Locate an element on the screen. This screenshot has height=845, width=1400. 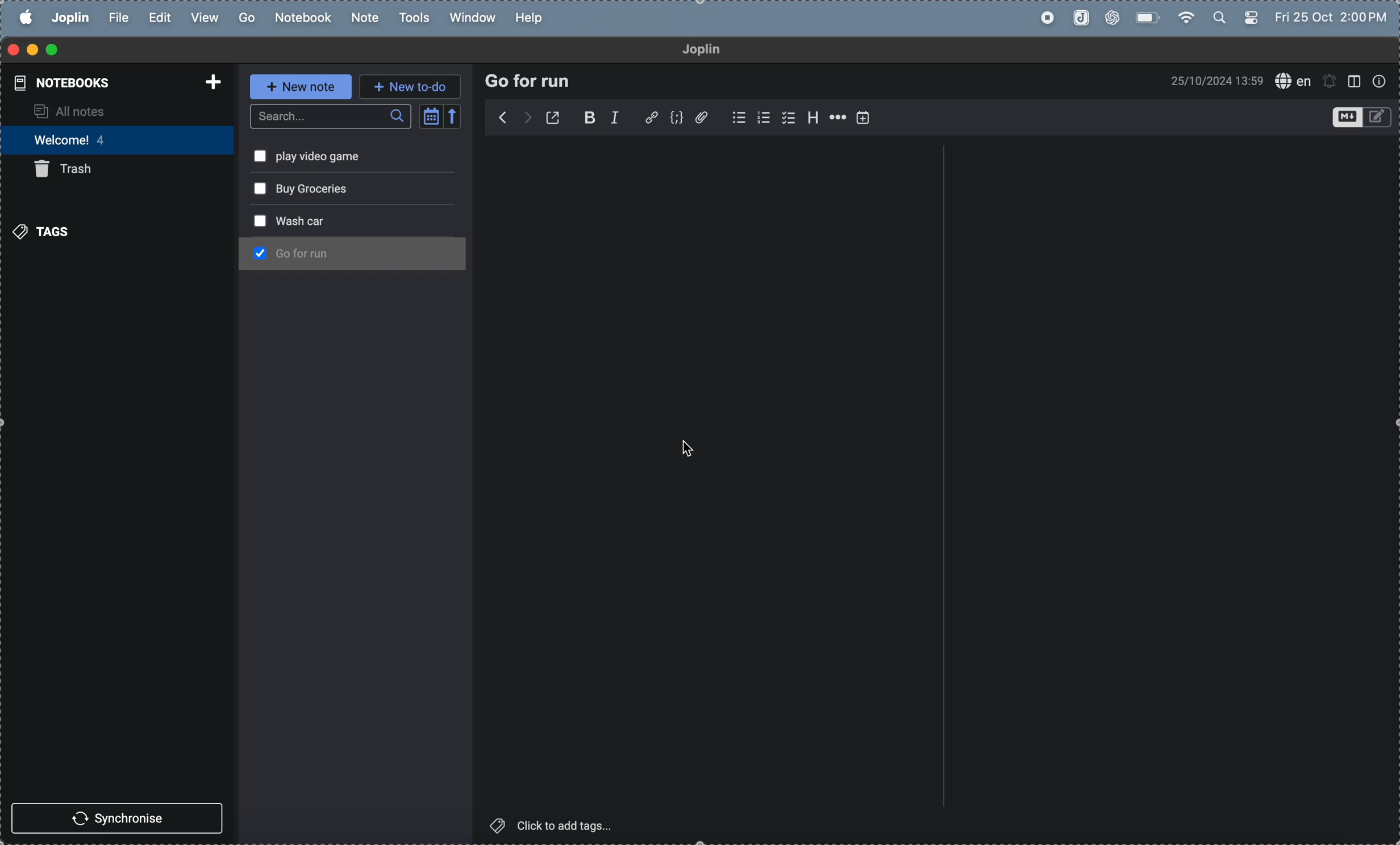
maximize is located at coordinates (53, 49).